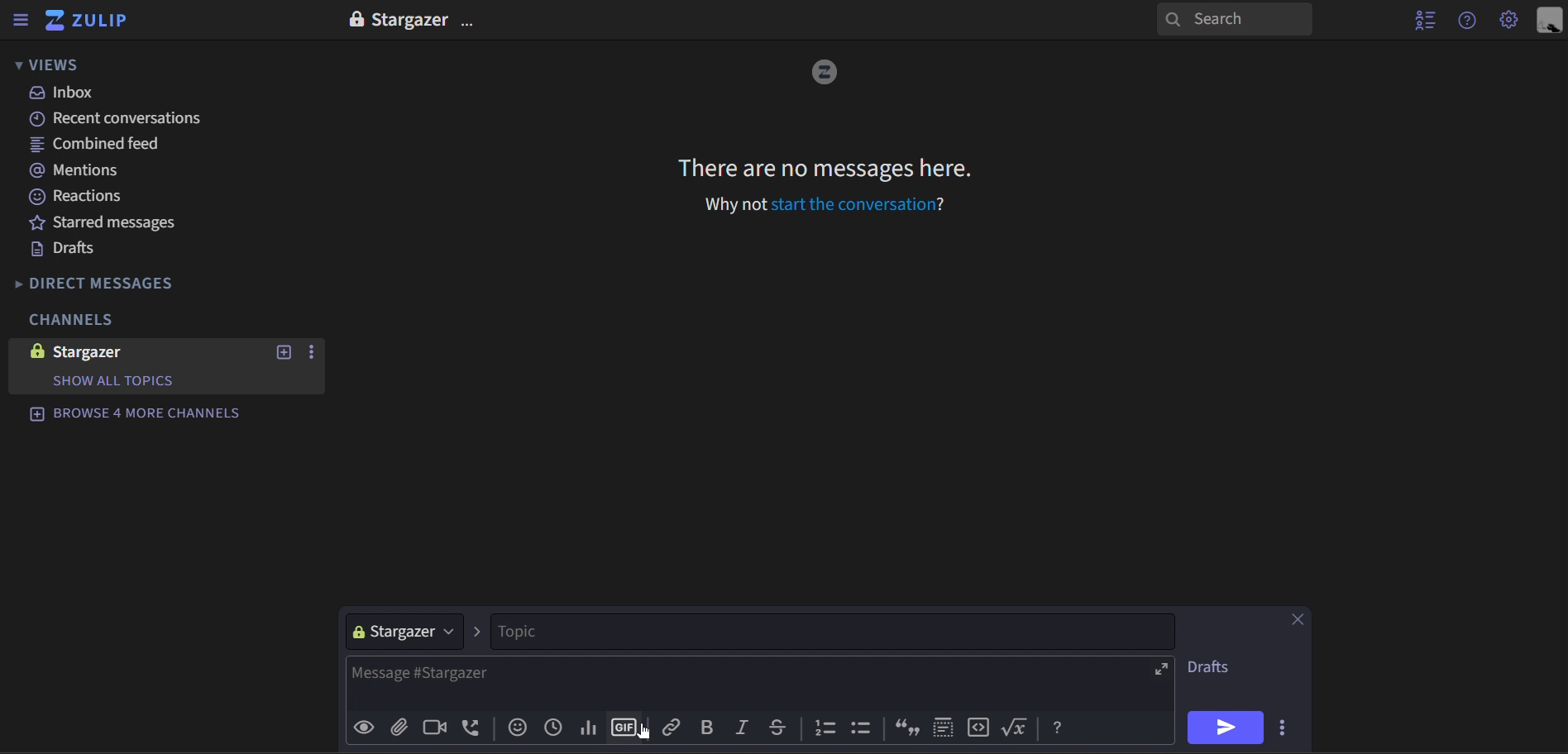 This screenshot has width=1568, height=754. Describe the element at coordinates (1297, 619) in the screenshot. I see `close` at that location.